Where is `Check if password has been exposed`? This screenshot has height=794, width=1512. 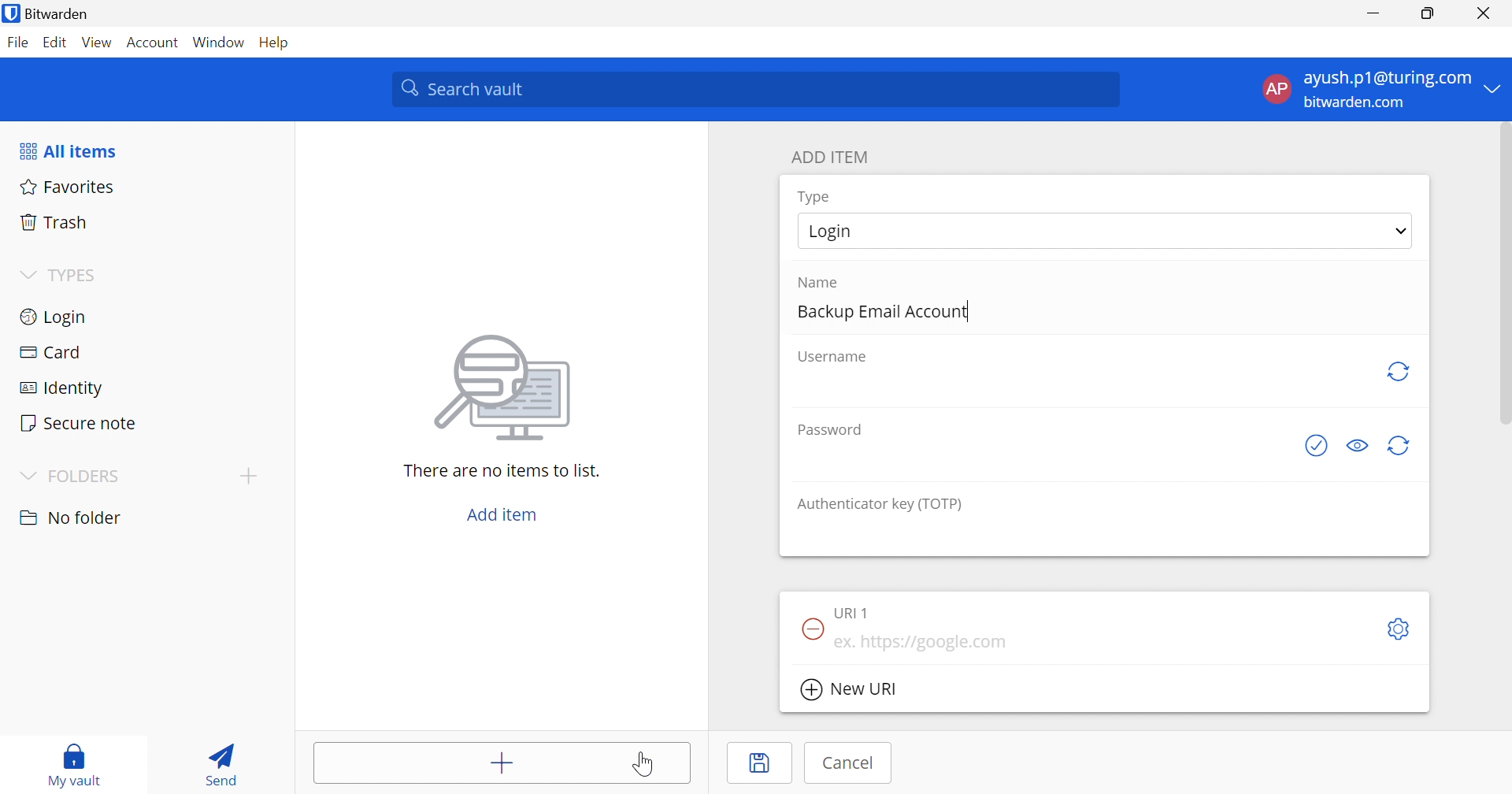 Check if password has been exposed is located at coordinates (1318, 446).